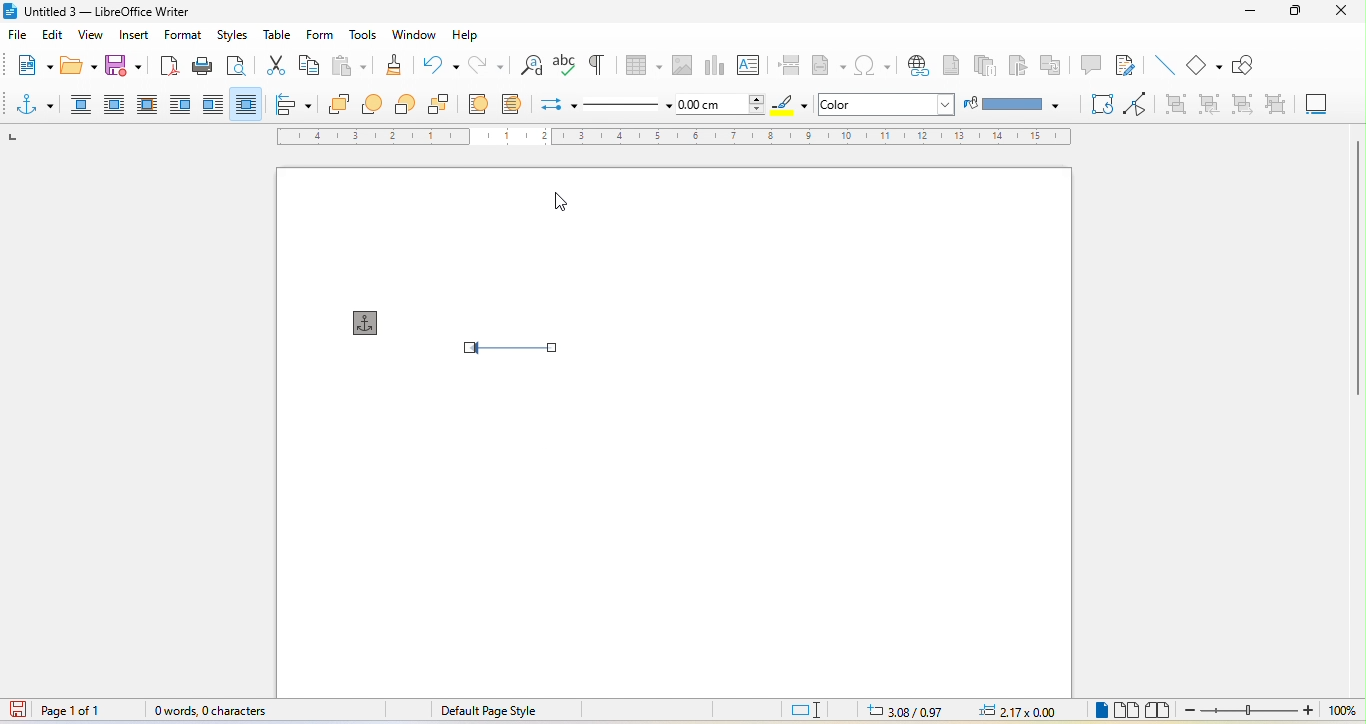 The image size is (1366, 724). Describe the element at coordinates (1269, 105) in the screenshot. I see `ungroup` at that location.